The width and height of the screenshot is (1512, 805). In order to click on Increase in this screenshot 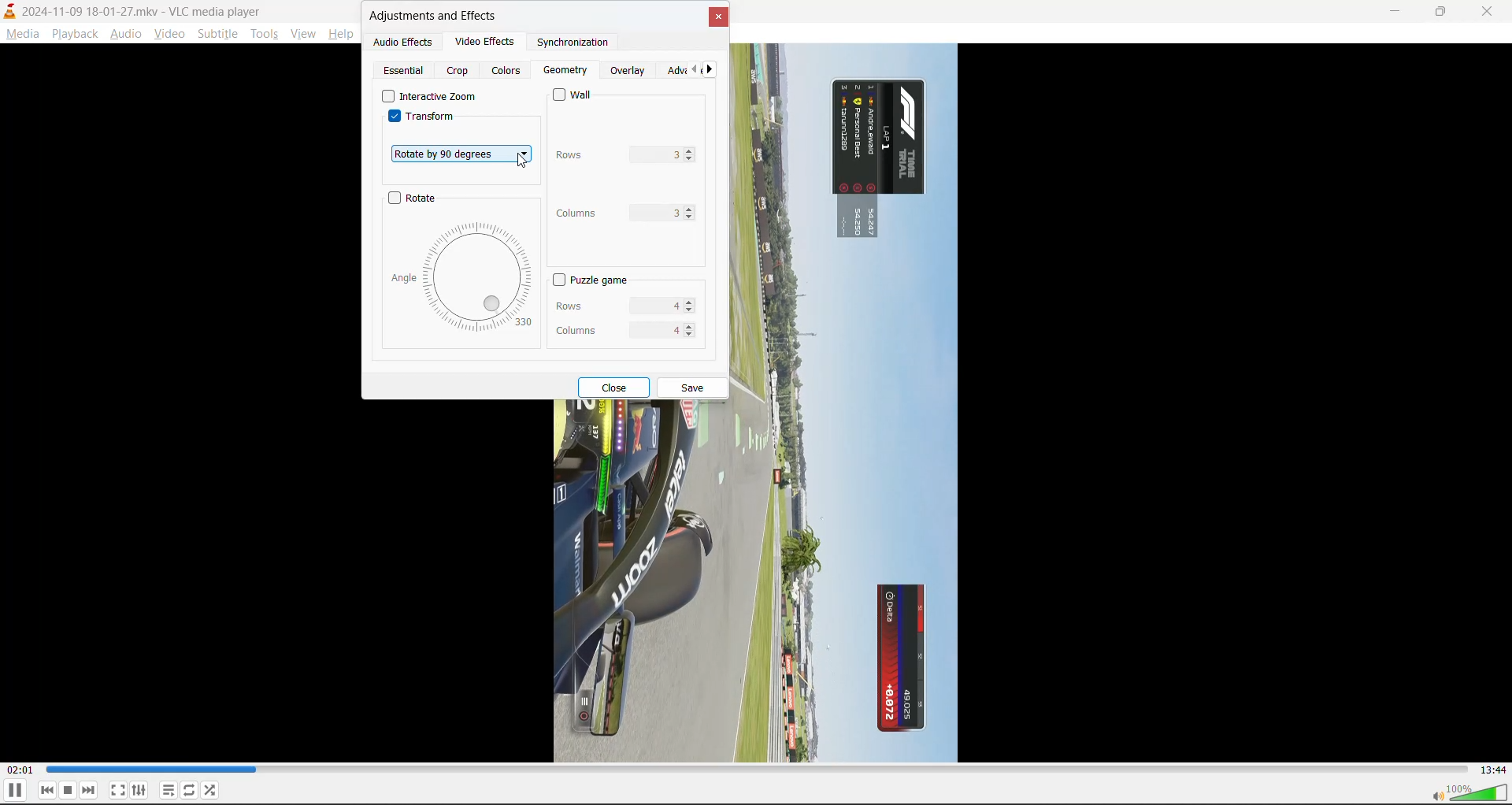, I will do `click(691, 150)`.